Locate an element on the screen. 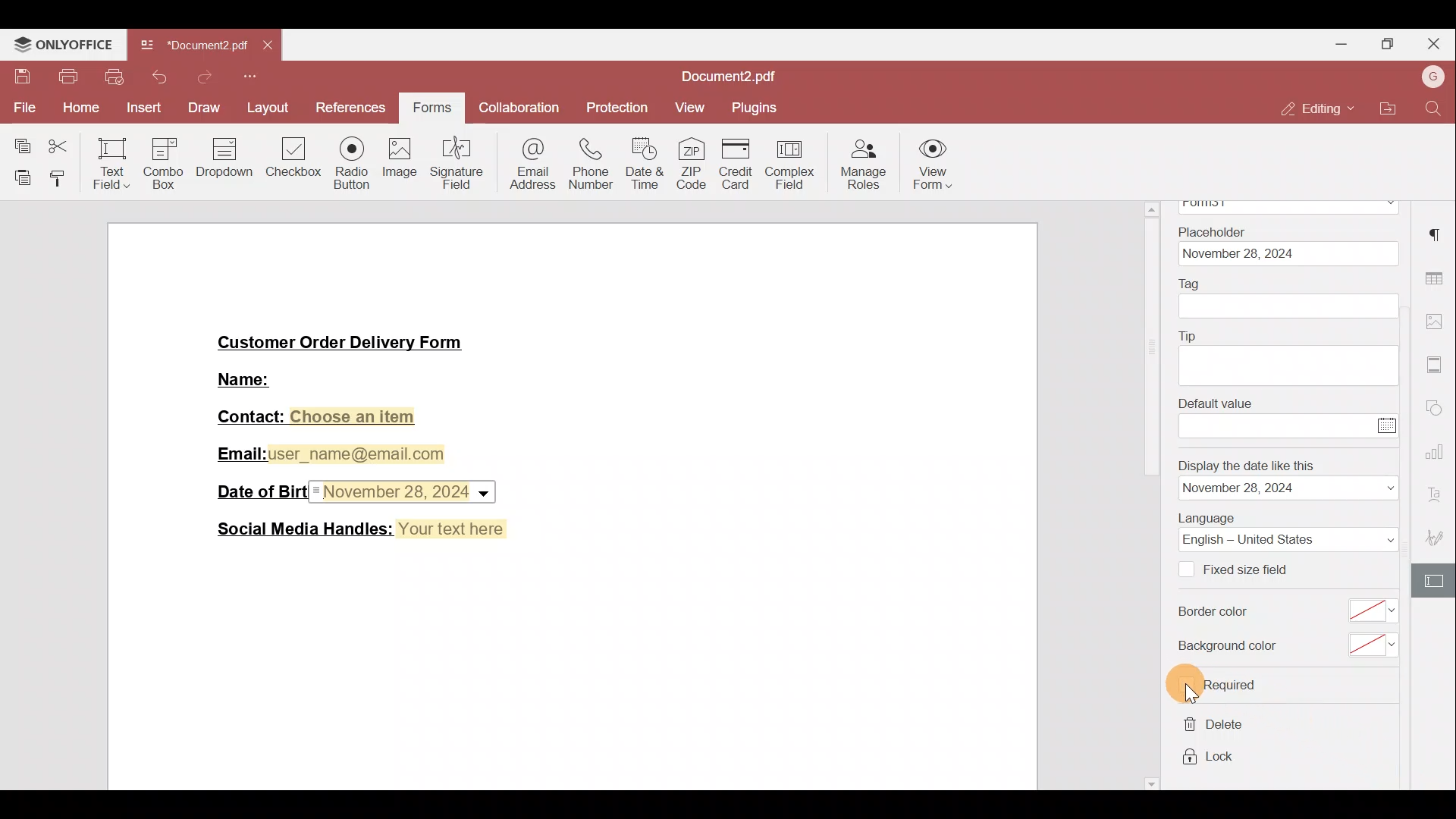  Image settings is located at coordinates (1438, 324).